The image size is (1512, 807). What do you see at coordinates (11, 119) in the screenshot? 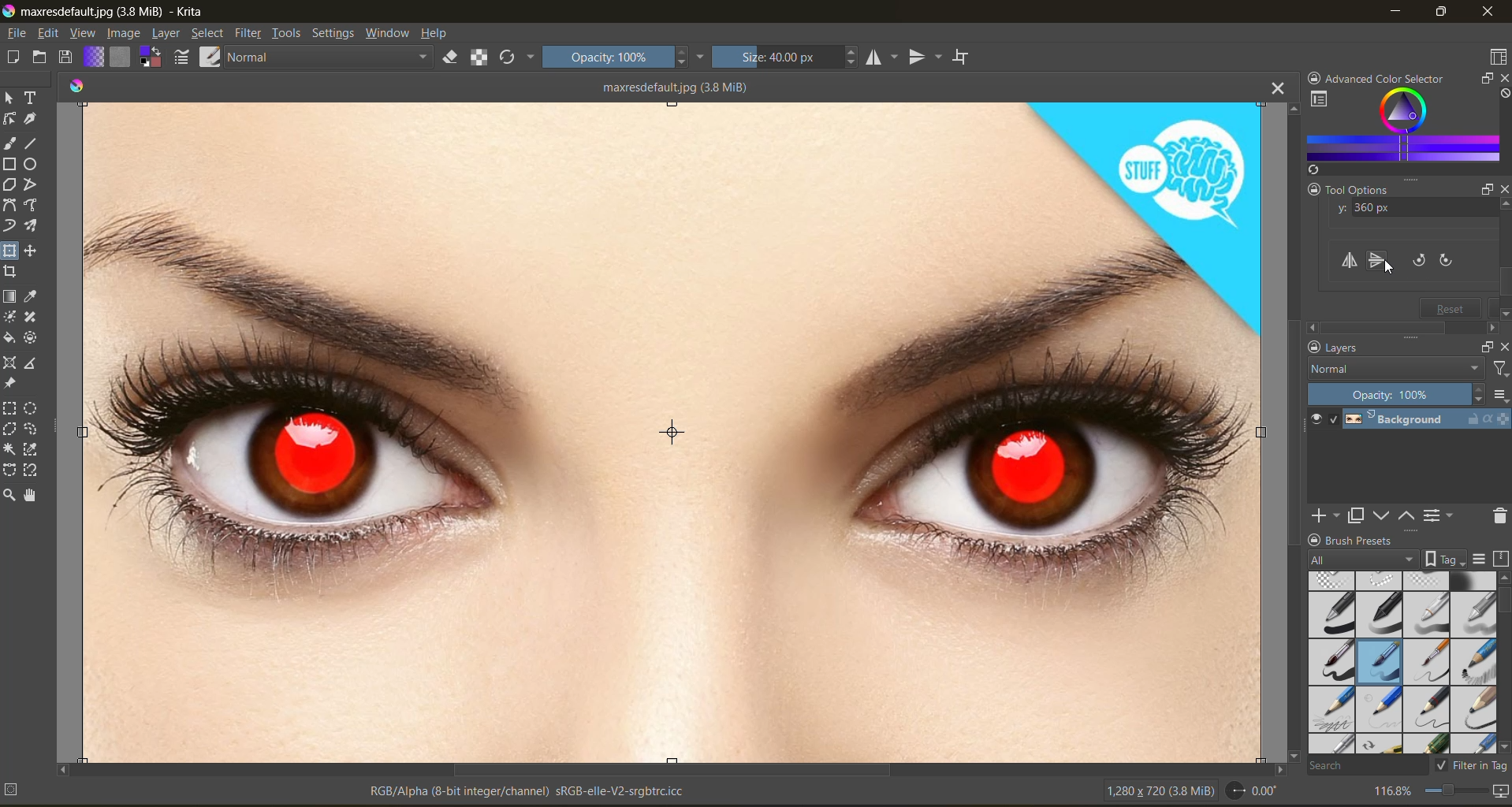
I see `tool` at bounding box center [11, 119].